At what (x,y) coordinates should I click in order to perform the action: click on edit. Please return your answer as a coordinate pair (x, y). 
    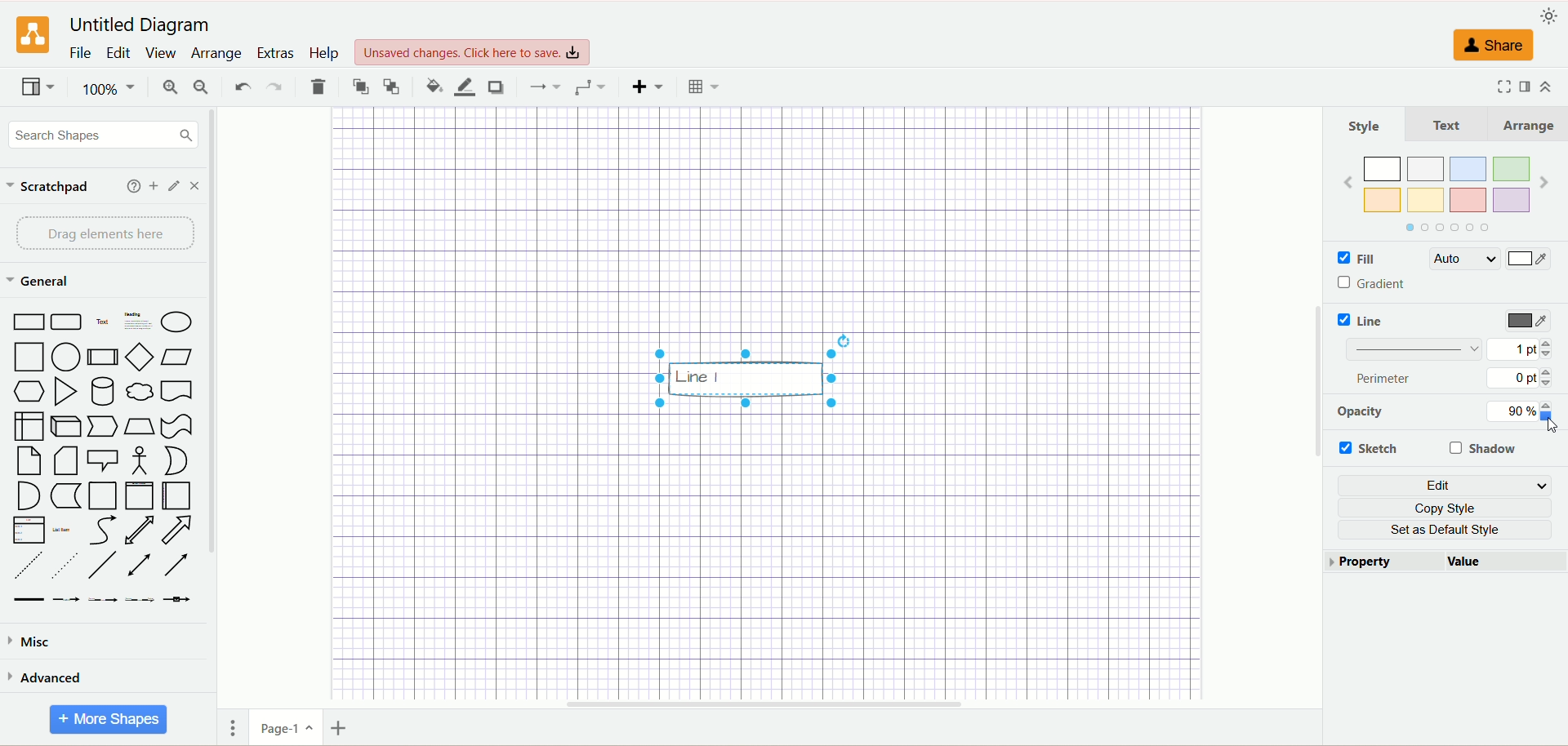
    Looking at the image, I should click on (172, 186).